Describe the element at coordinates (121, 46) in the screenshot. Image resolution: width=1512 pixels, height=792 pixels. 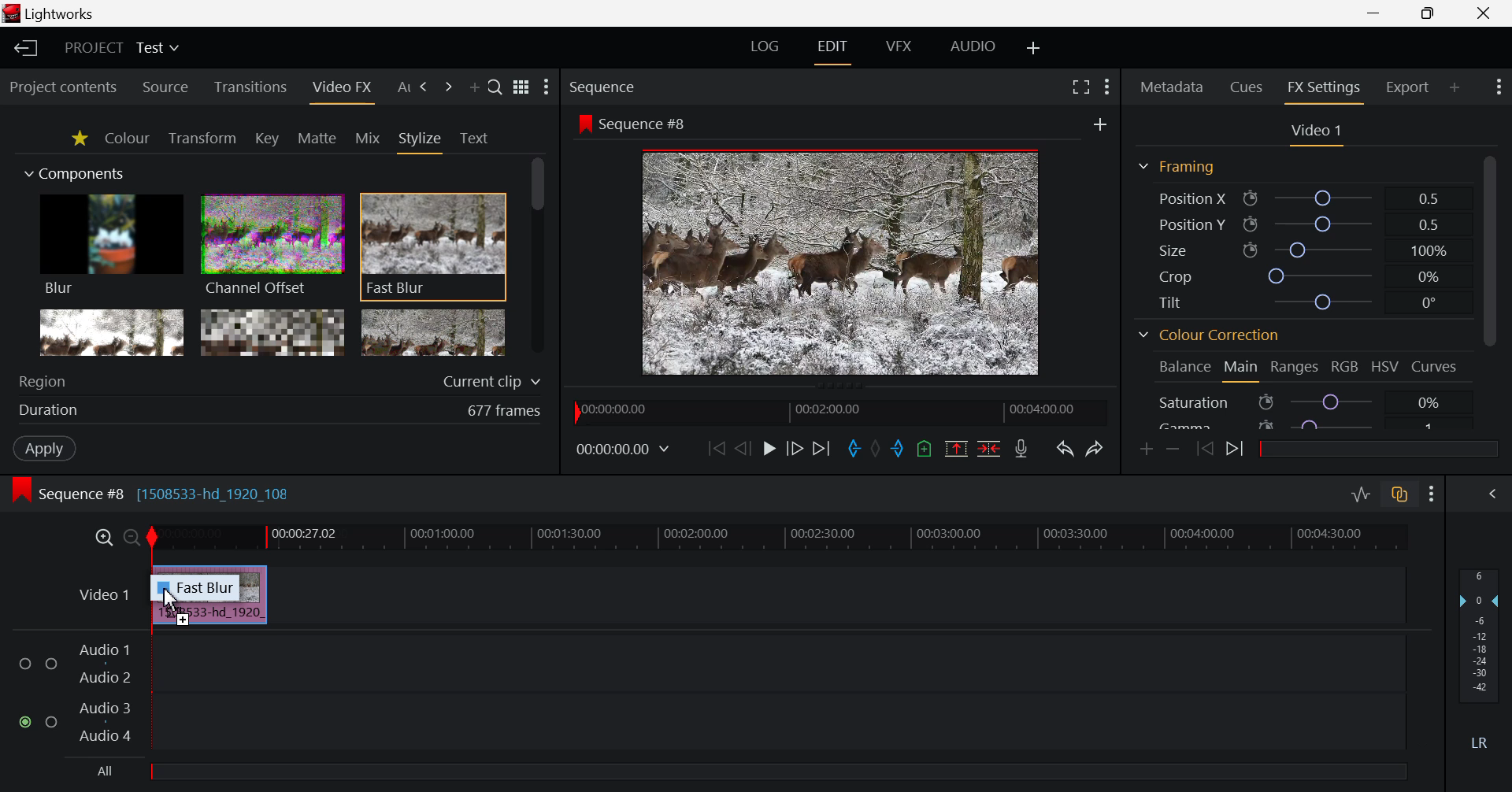
I see `Project Title` at that location.